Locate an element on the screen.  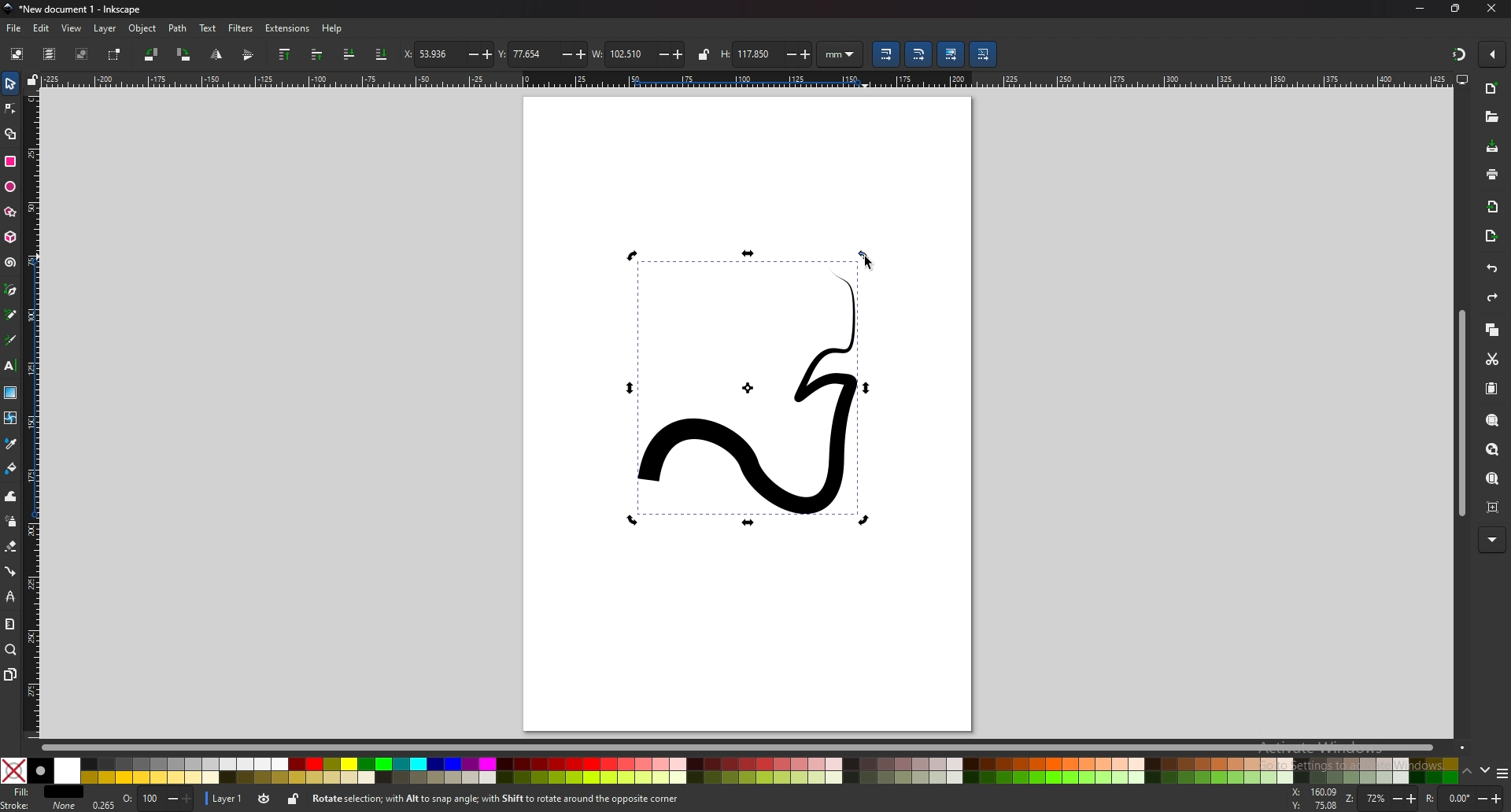
spiral is located at coordinates (10, 263).